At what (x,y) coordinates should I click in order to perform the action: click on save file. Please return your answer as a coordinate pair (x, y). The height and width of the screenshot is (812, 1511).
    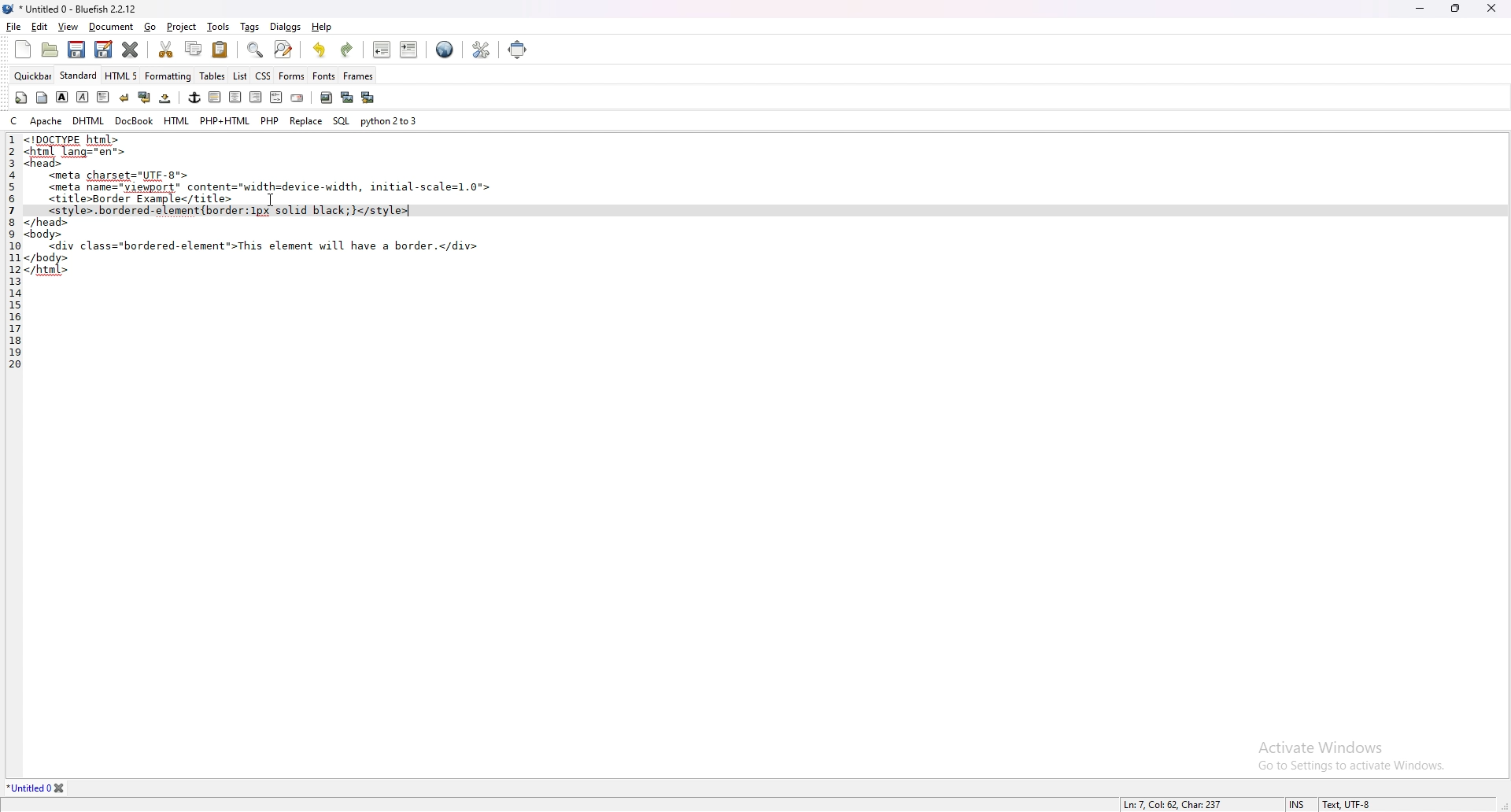
    Looking at the image, I should click on (75, 50).